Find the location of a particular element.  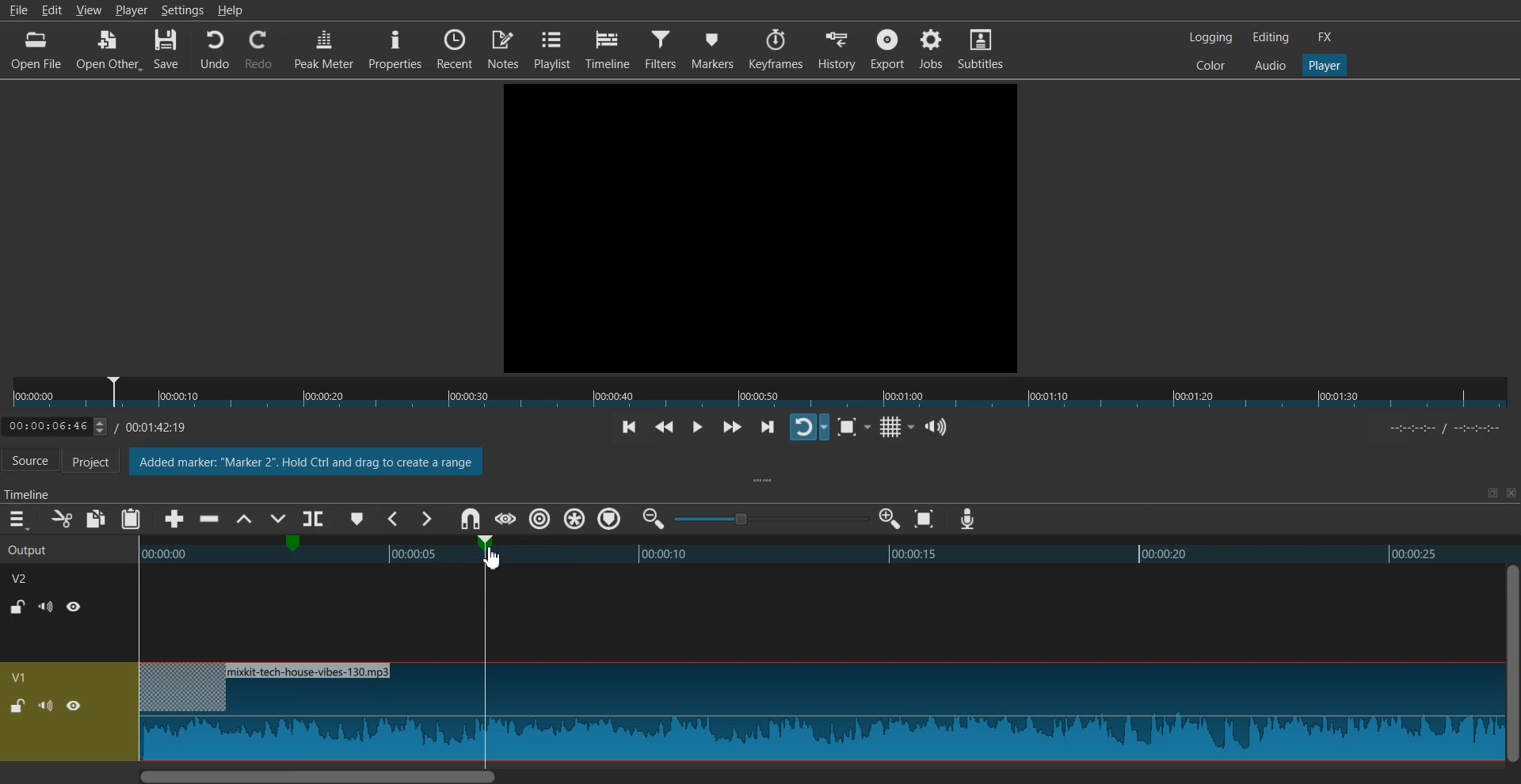

Previous Marker is located at coordinates (395, 519).